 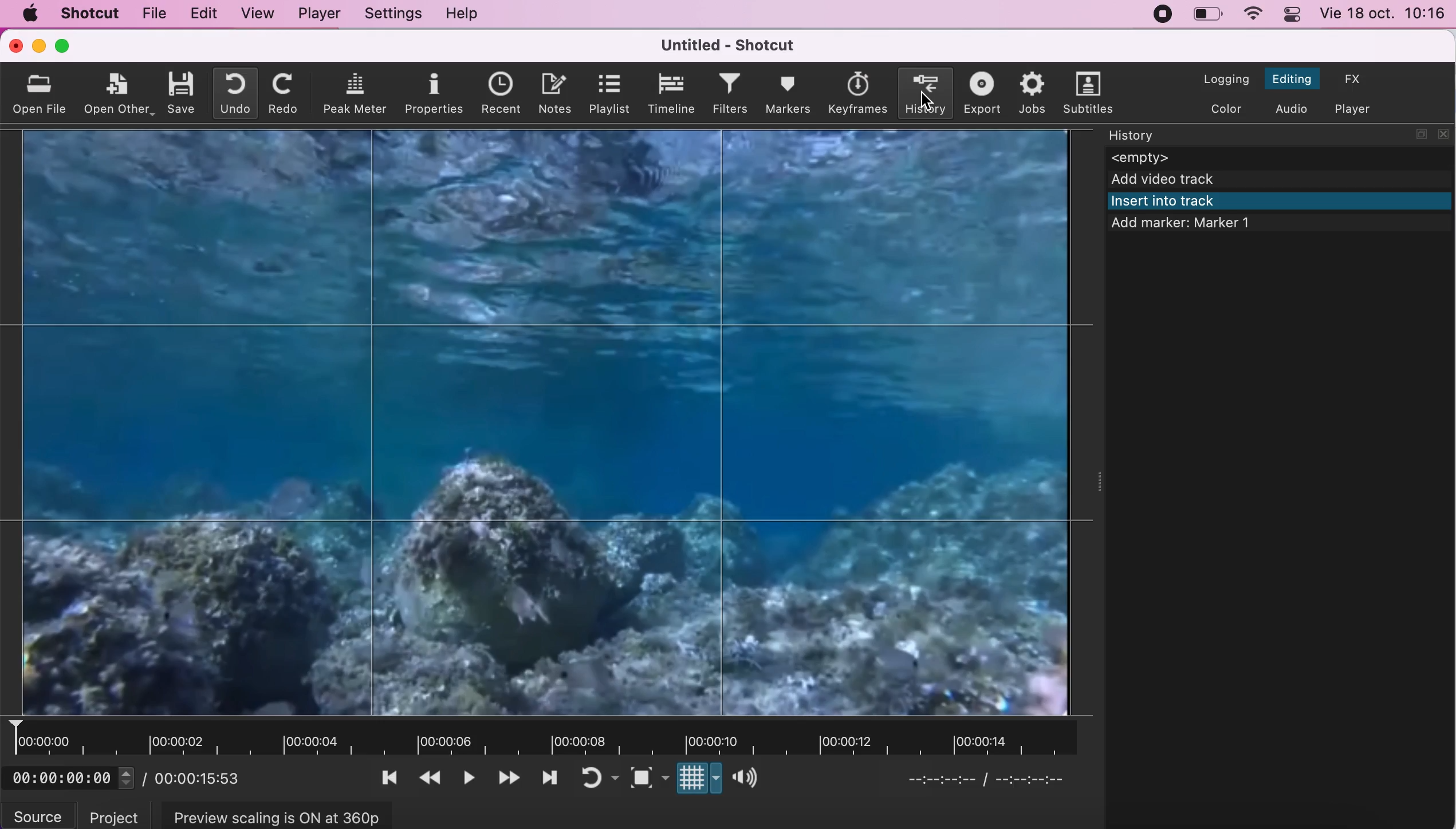 What do you see at coordinates (1254, 14) in the screenshot?
I see `wifi` at bounding box center [1254, 14].